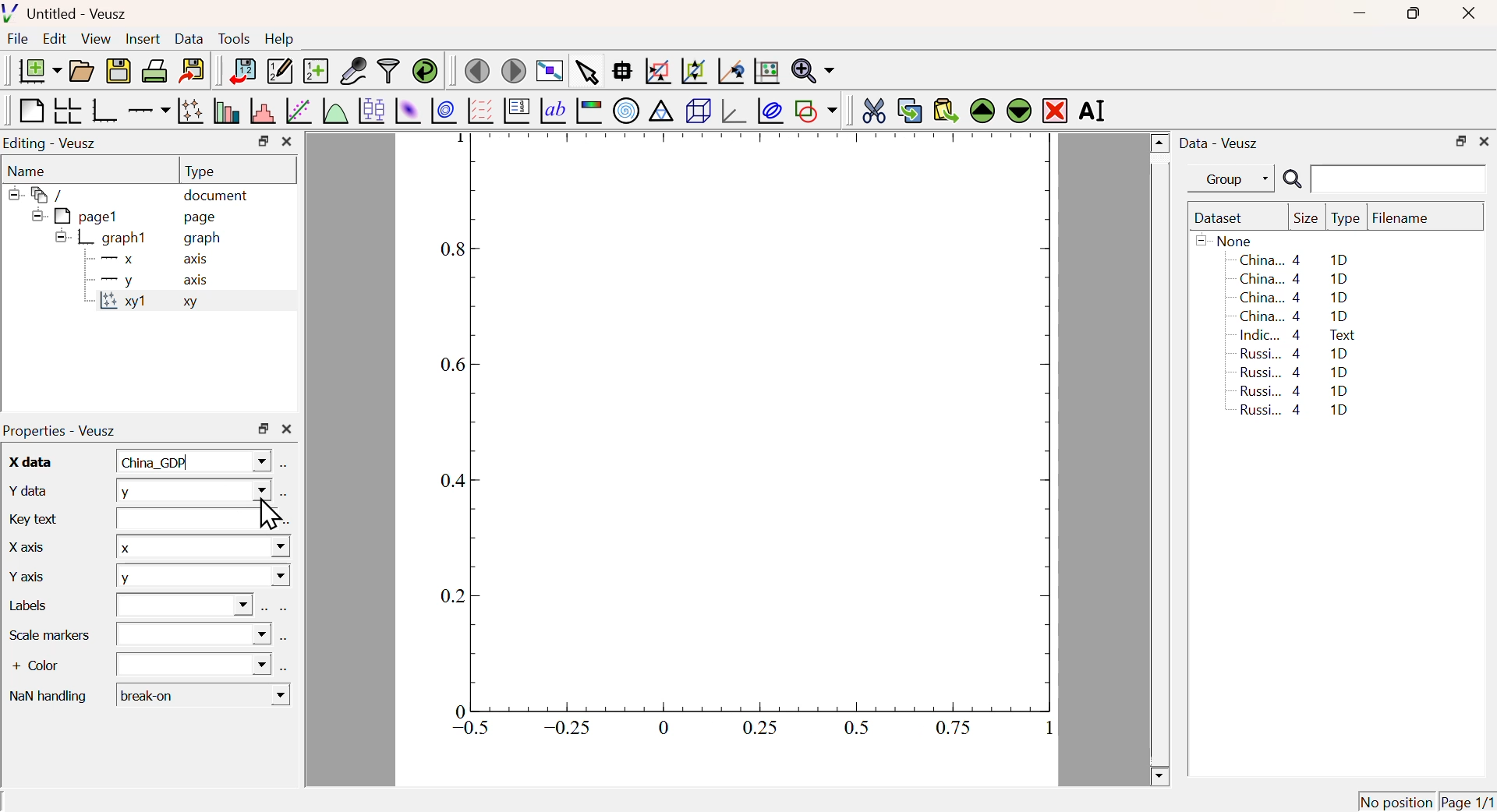  What do you see at coordinates (264, 609) in the screenshot?
I see `Select using dataset Browser` at bounding box center [264, 609].